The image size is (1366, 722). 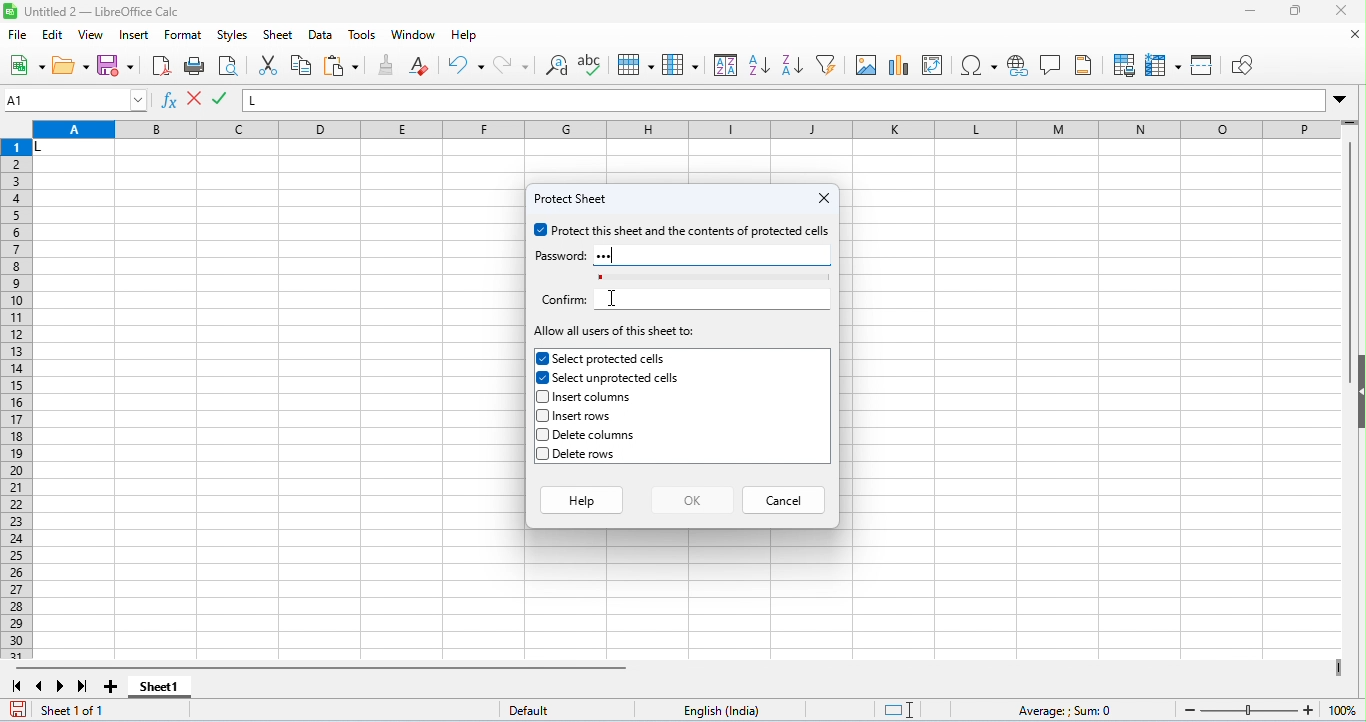 I want to click on freeze rows and columns, so click(x=1165, y=66).